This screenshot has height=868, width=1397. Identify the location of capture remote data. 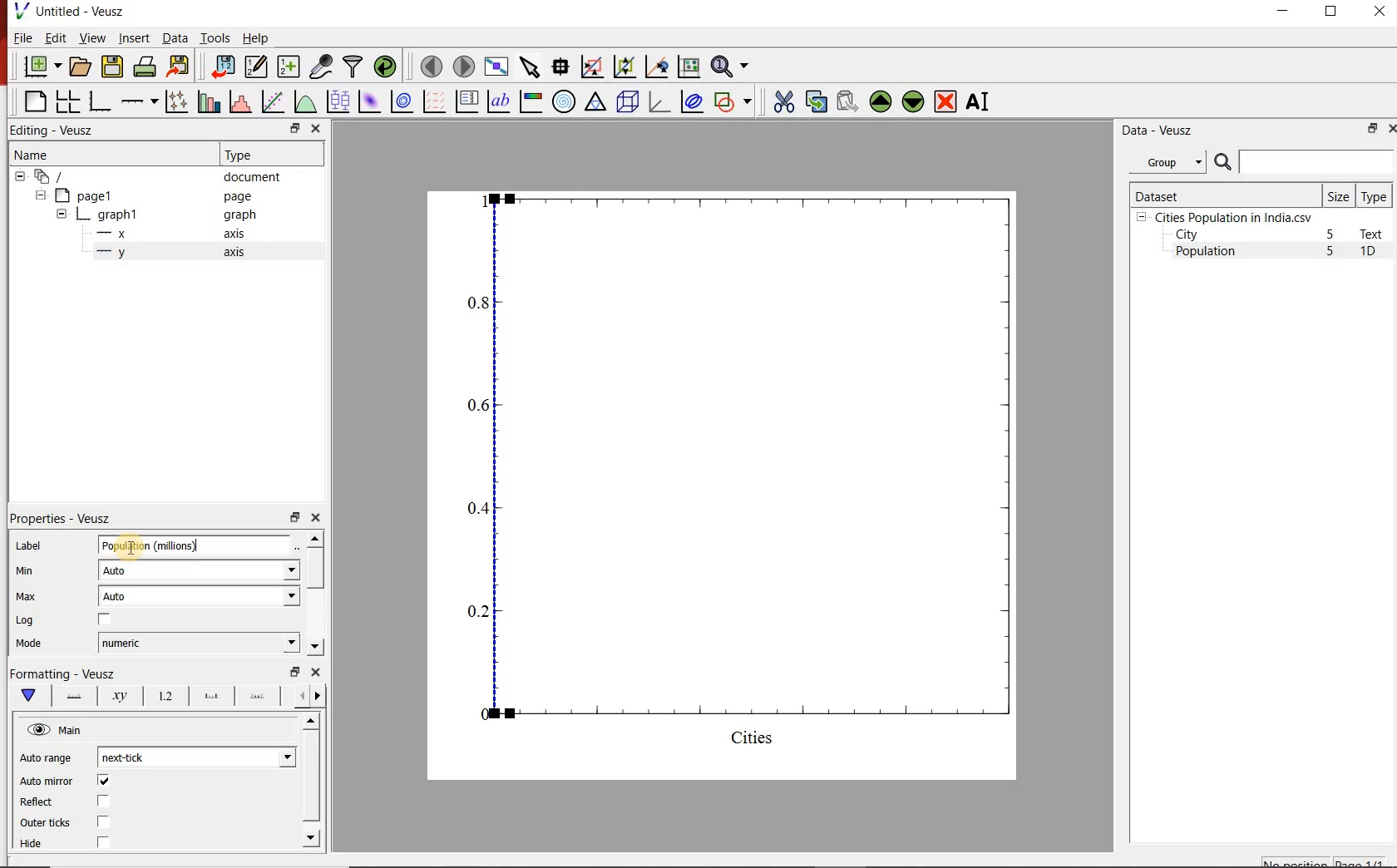
(319, 67).